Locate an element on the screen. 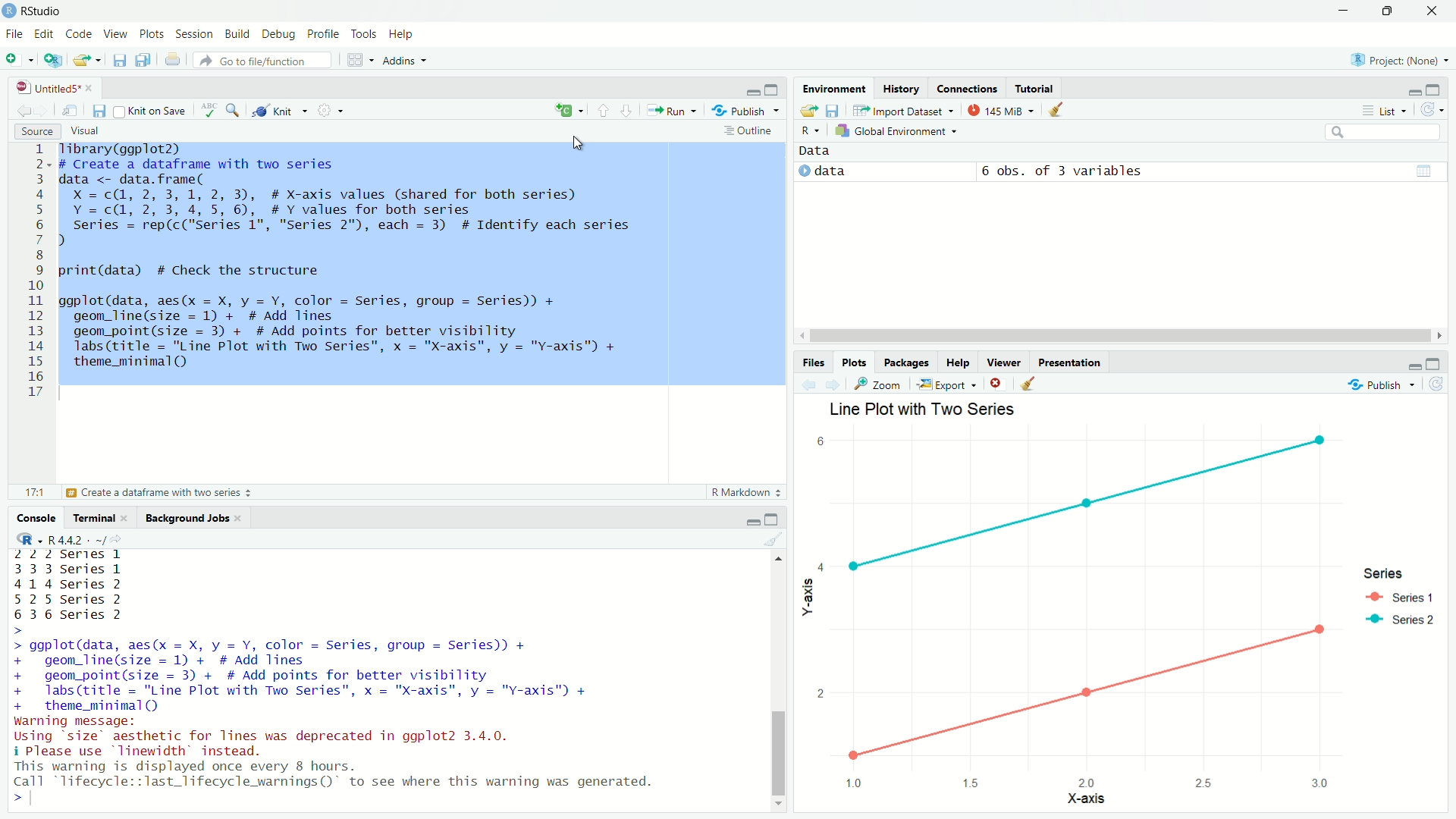 This screenshot has height=819, width=1456. Plots is located at coordinates (155, 36).